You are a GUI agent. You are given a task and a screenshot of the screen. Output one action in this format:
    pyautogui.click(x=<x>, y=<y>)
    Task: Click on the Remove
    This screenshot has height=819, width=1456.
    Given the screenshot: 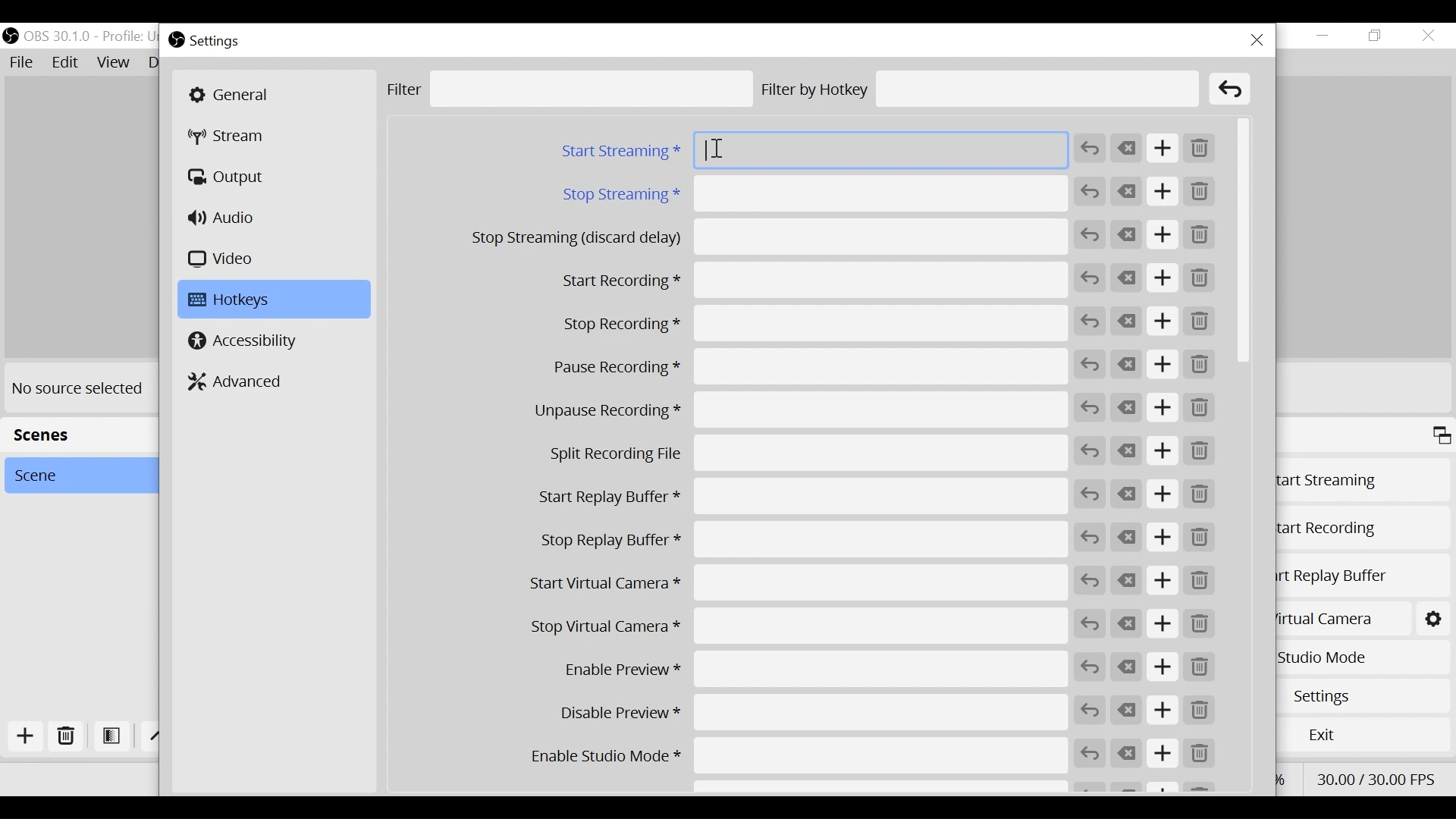 What is the action you would take?
    pyautogui.click(x=1196, y=322)
    